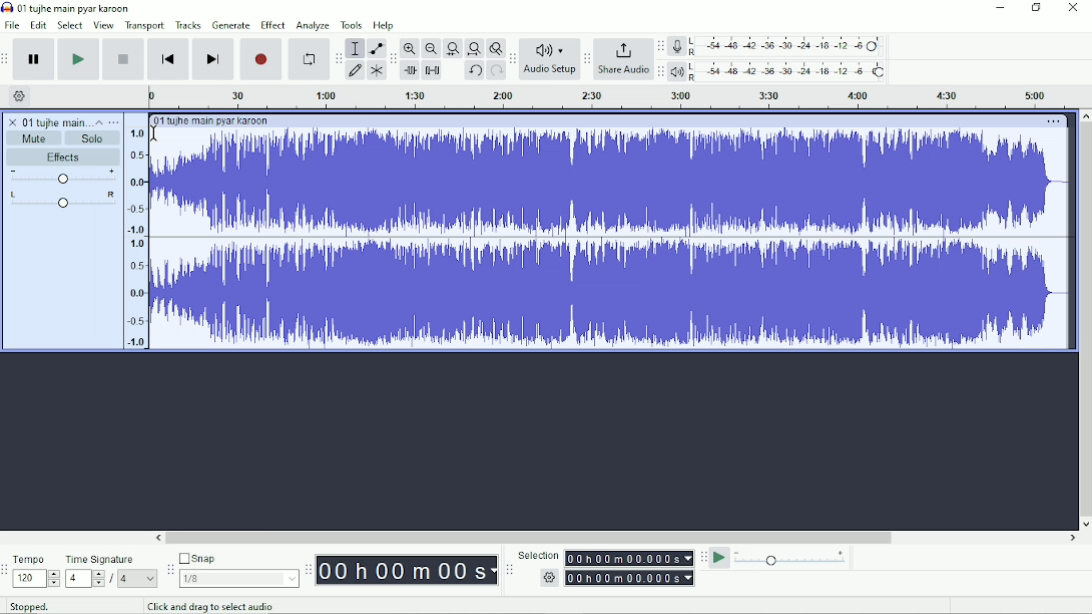 The image size is (1092, 614). Describe the element at coordinates (616, 538) in the screenshot. I see `Horizontal scrollbar` at that location.